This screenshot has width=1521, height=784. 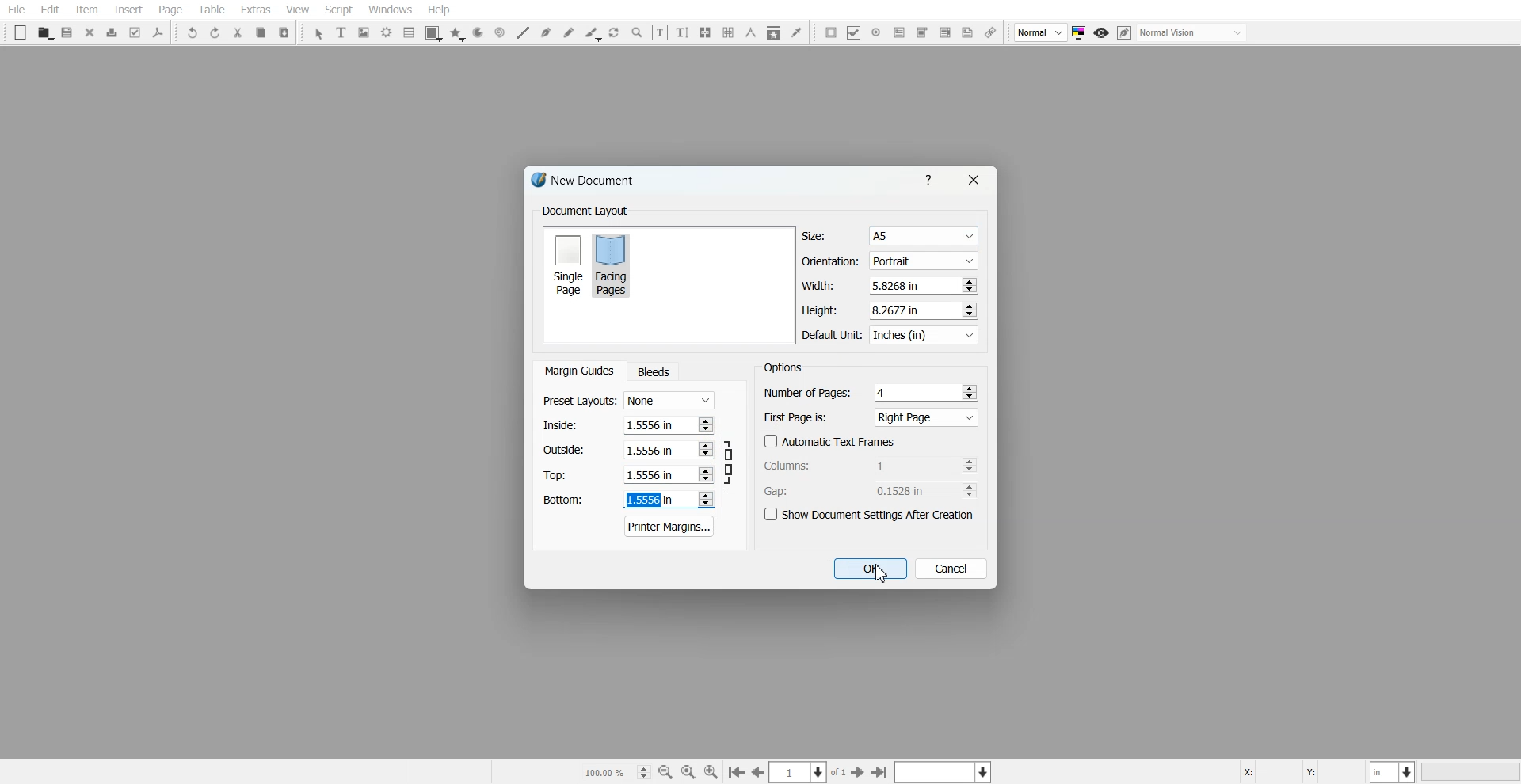 I want to click on Print, so click(x=112, y=32).